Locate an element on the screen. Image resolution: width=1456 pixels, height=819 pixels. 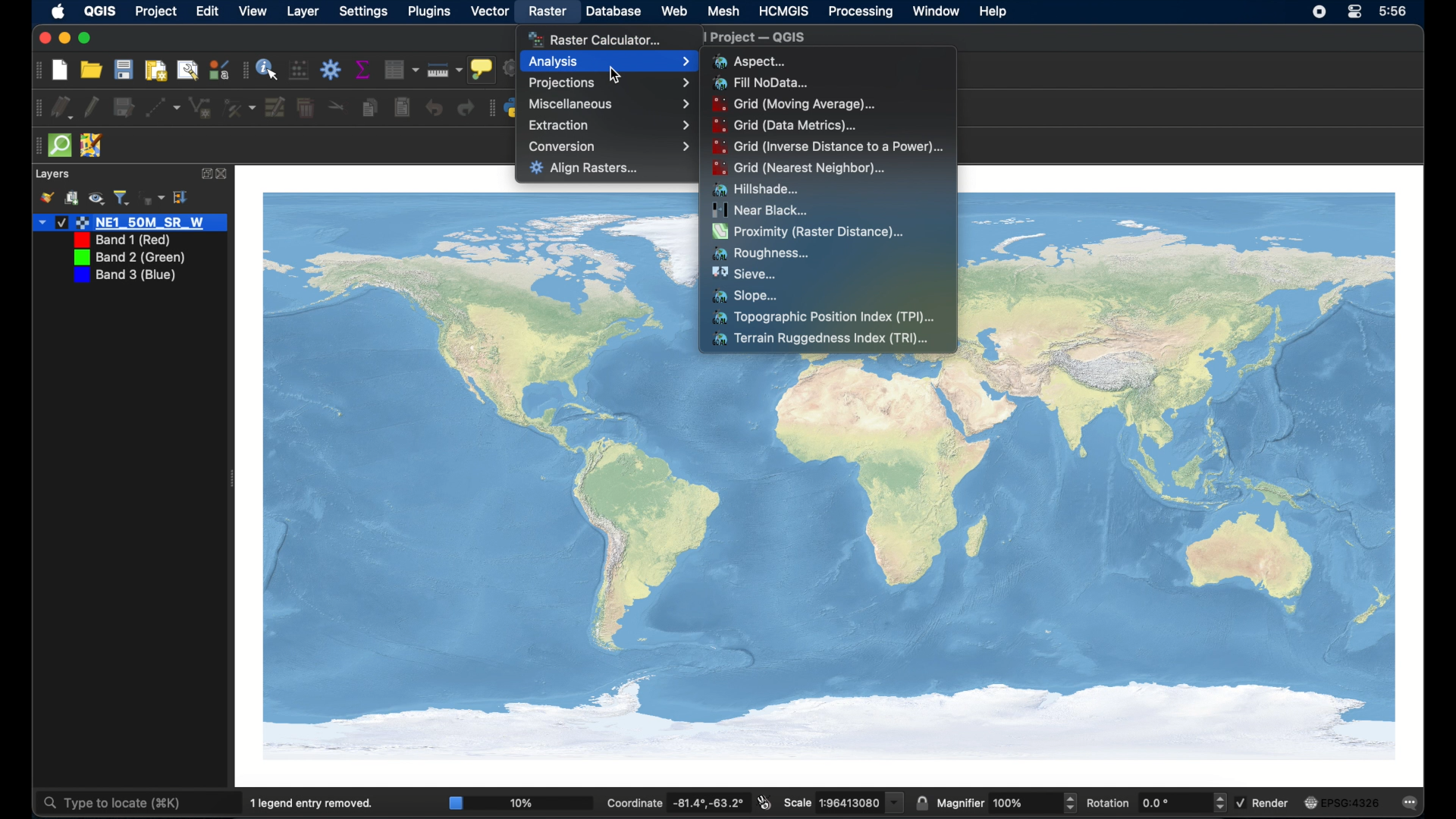
show statistical summary is located at coordinates (362, 69).